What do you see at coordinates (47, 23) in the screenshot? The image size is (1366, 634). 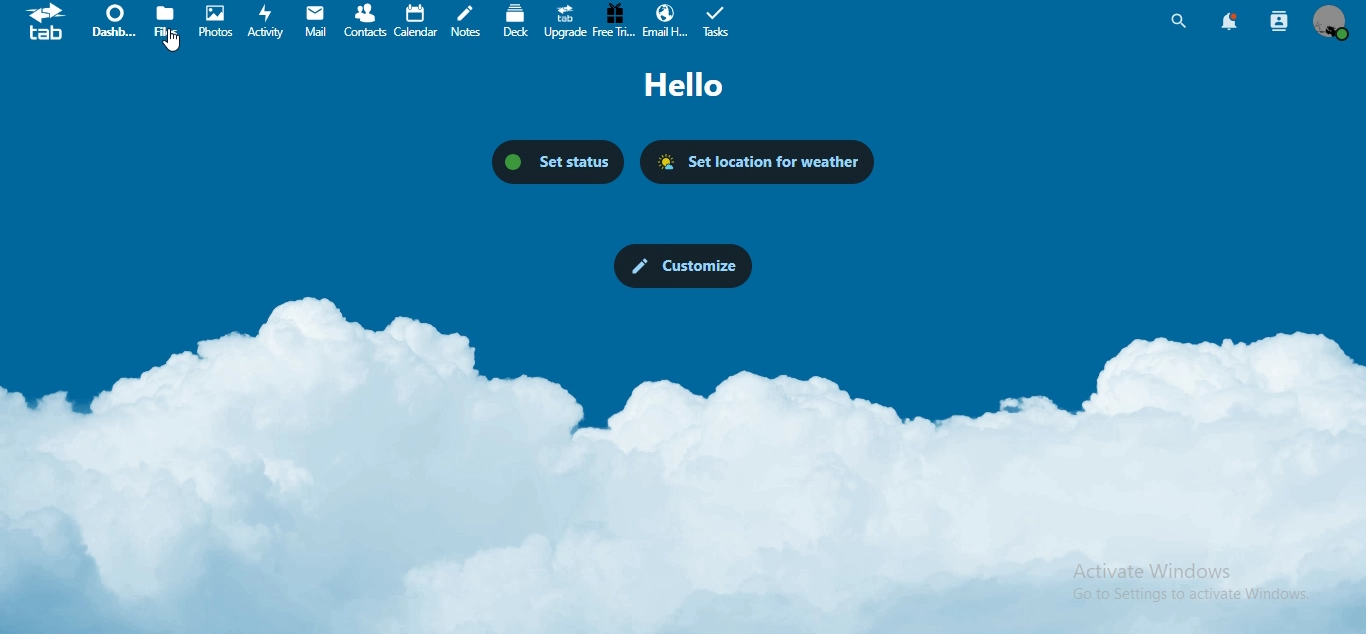 I see `icon` at bounding box center [47, 23].